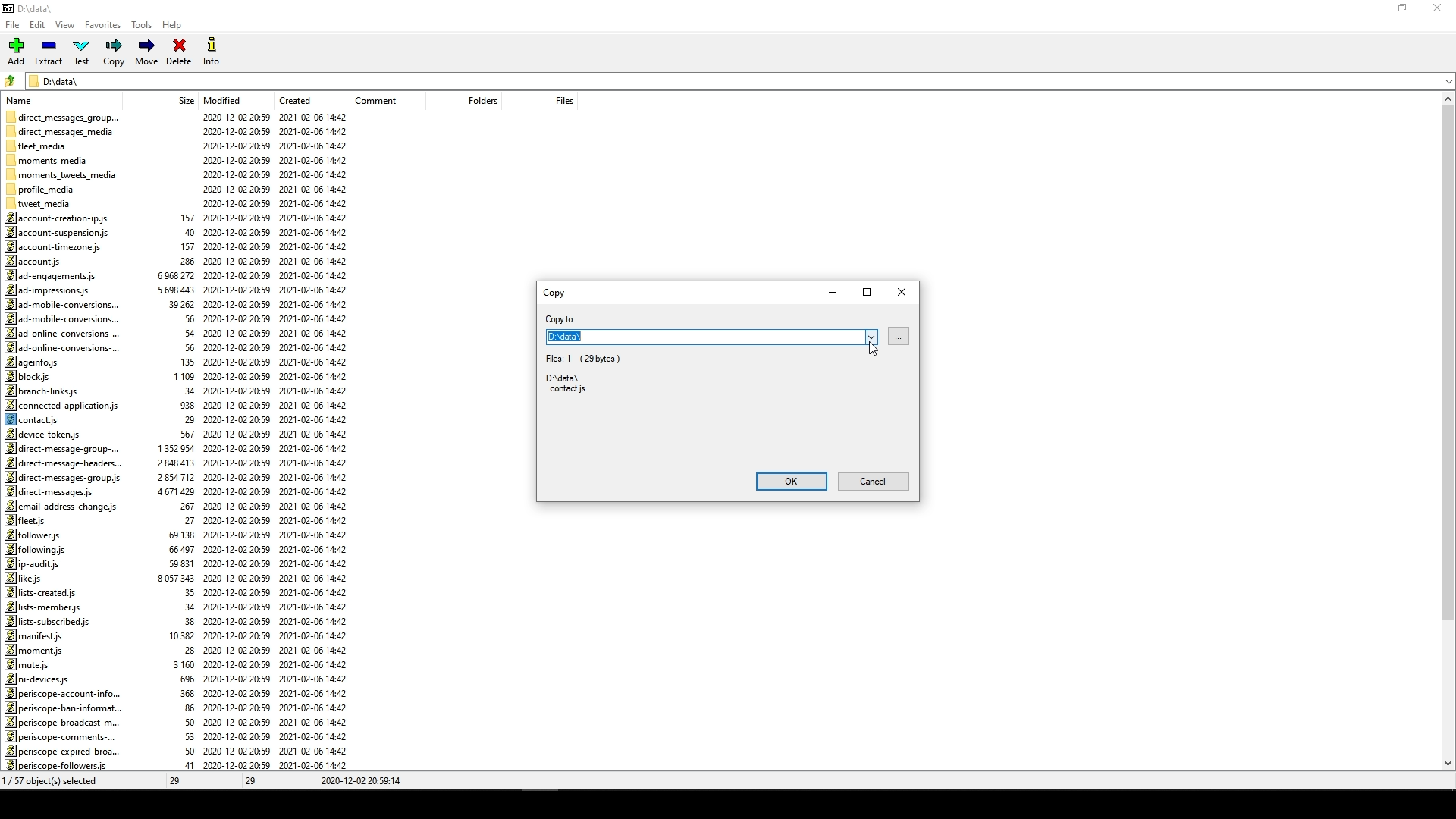 This screenshot has width=1456, height=819. I want to click on account-timezone.js, so click(54, 246).